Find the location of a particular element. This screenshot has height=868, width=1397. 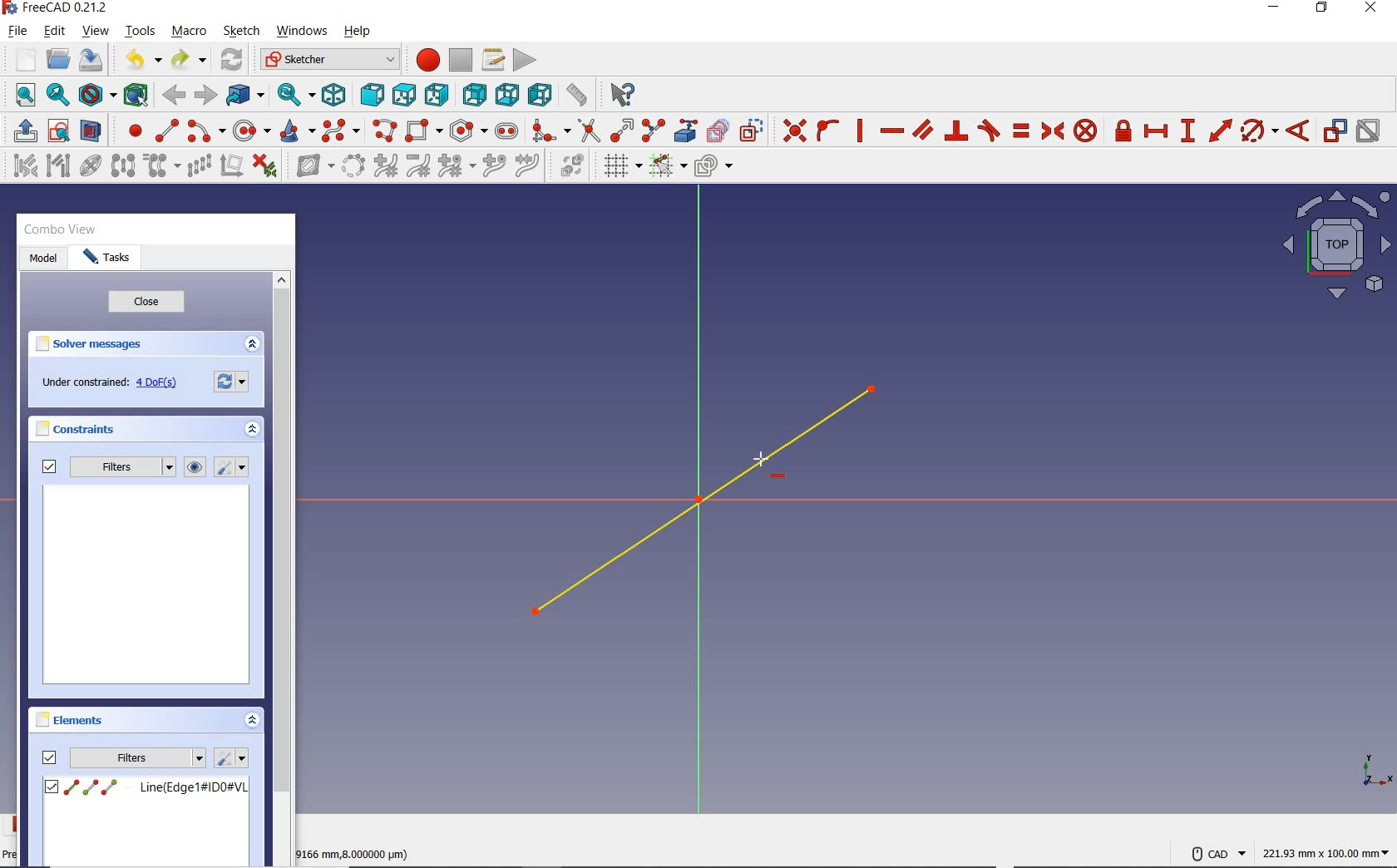

CONSTRAIN SYMMETRICAL is located at coordinates (1050, 131).